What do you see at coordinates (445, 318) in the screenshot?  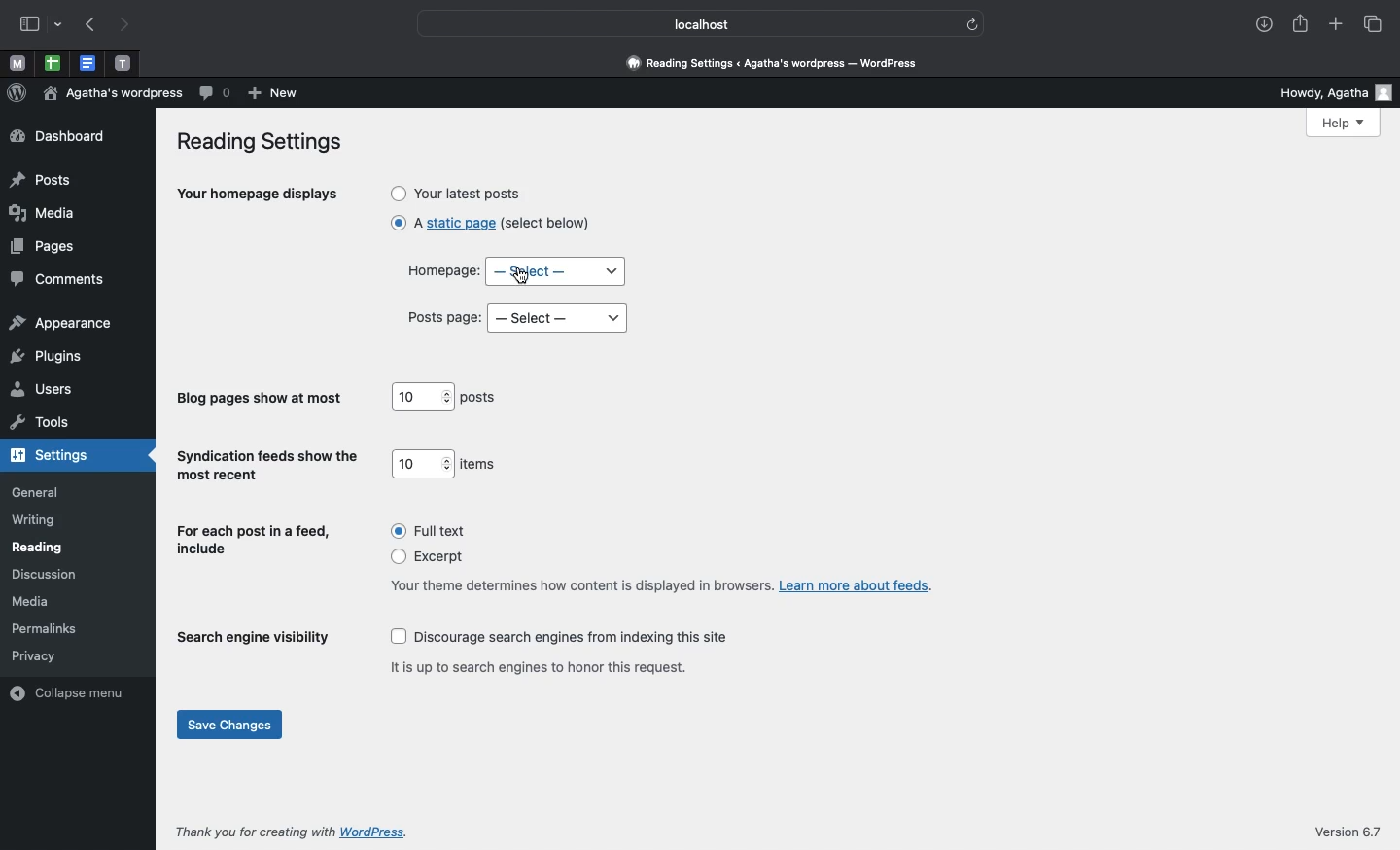 I see `Posts page` at bounding box center [445, 318].